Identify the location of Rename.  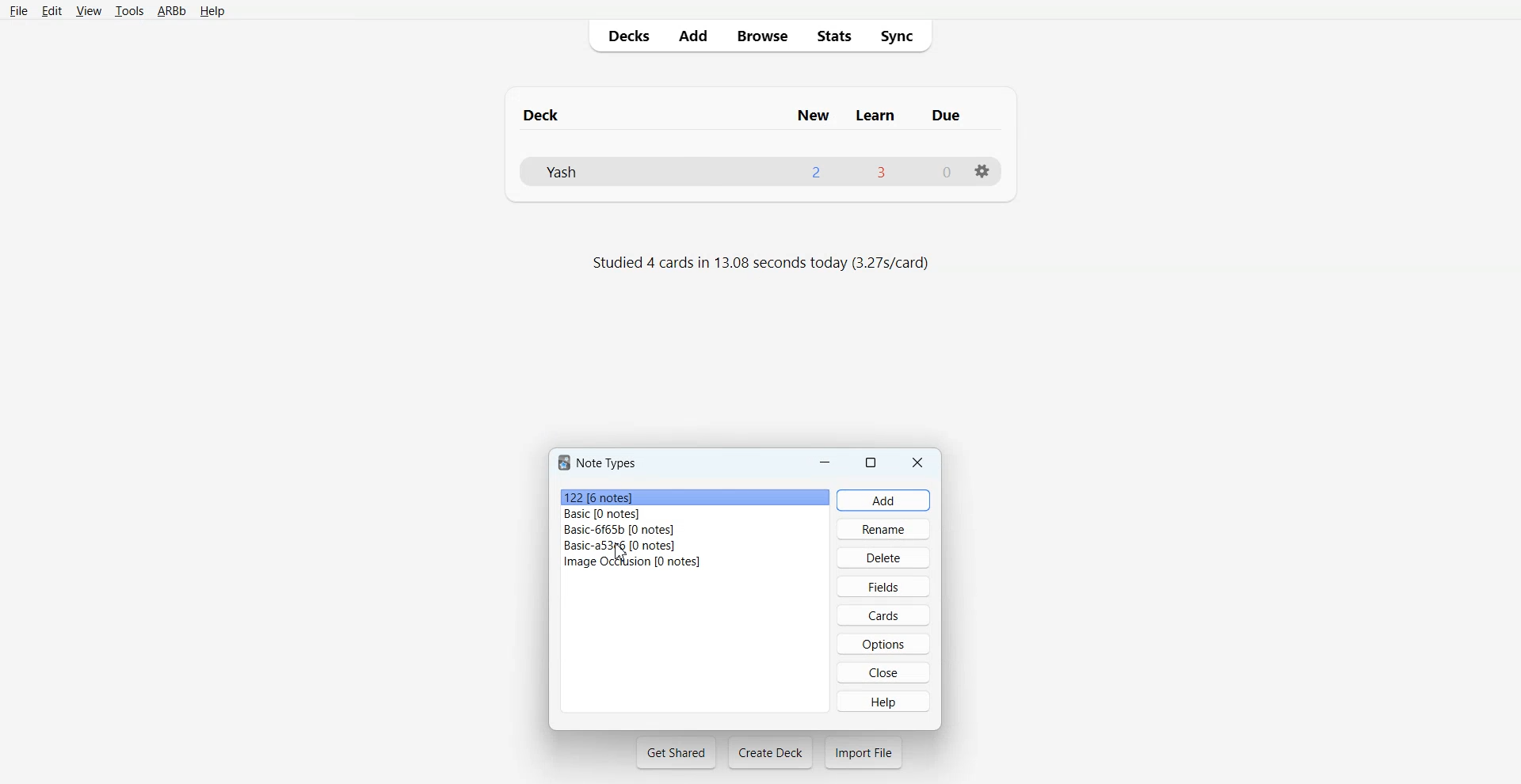
(884, 528).